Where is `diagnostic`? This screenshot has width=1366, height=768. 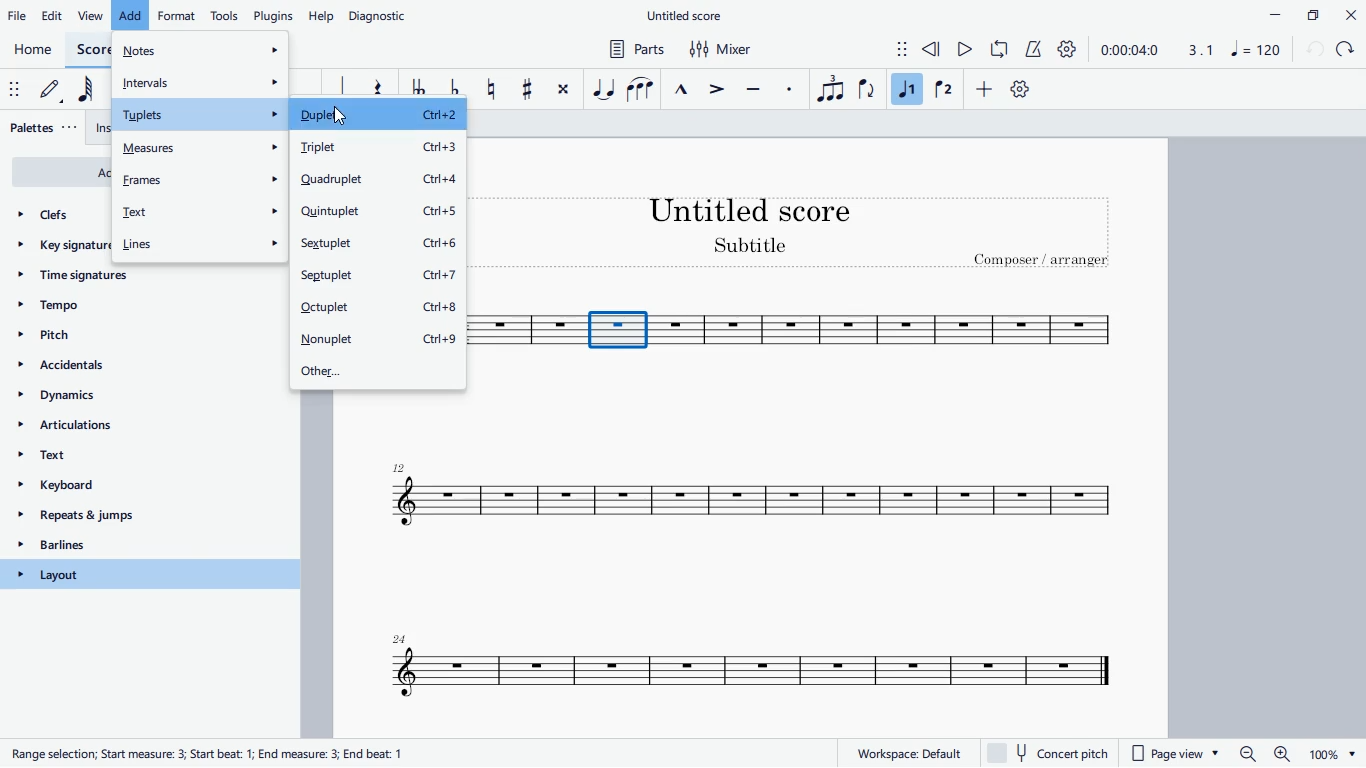 diagnostic is located at coordinates (383, 13).